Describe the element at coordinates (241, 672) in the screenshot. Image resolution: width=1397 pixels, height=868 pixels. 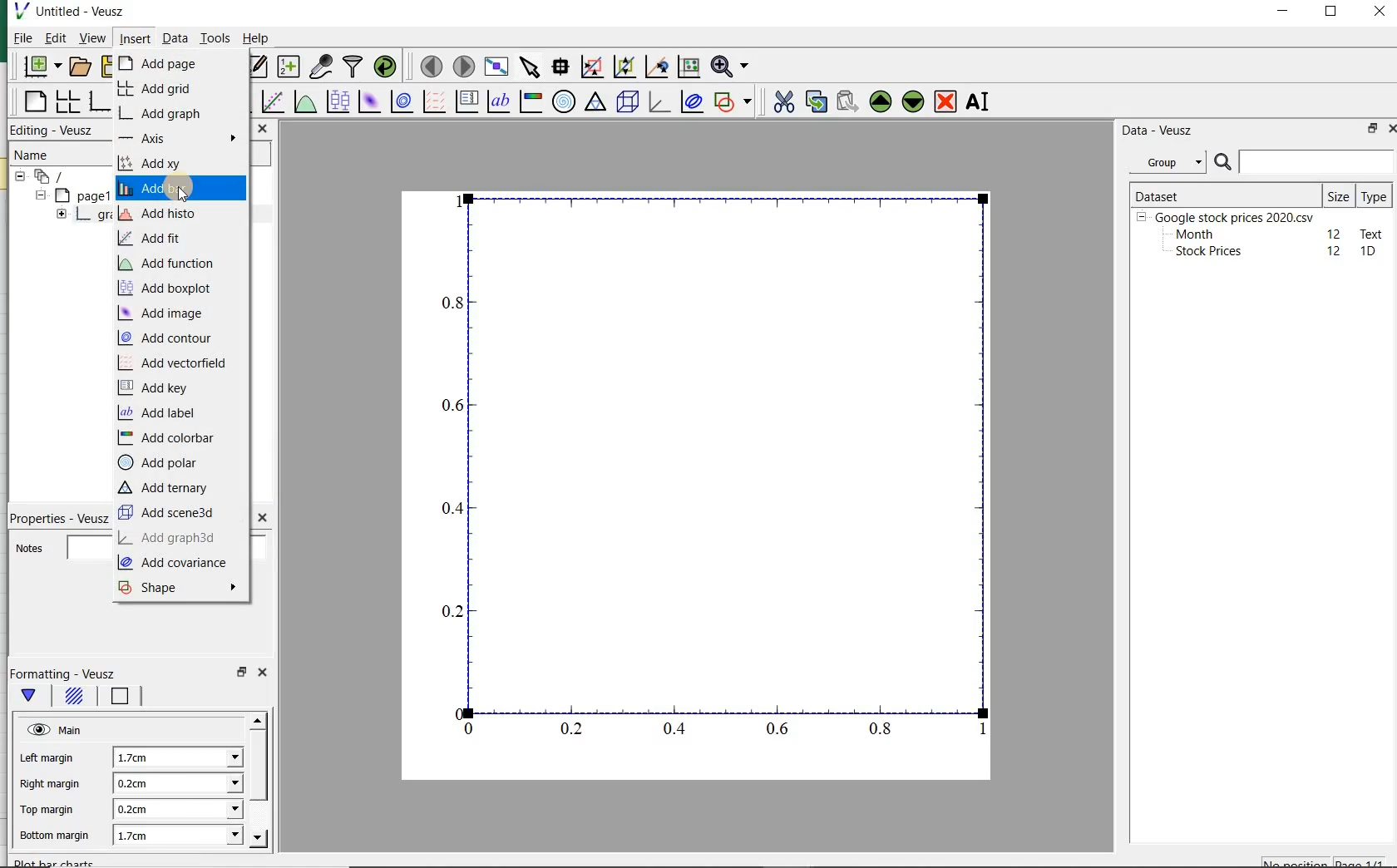
I see `restore` at that location.